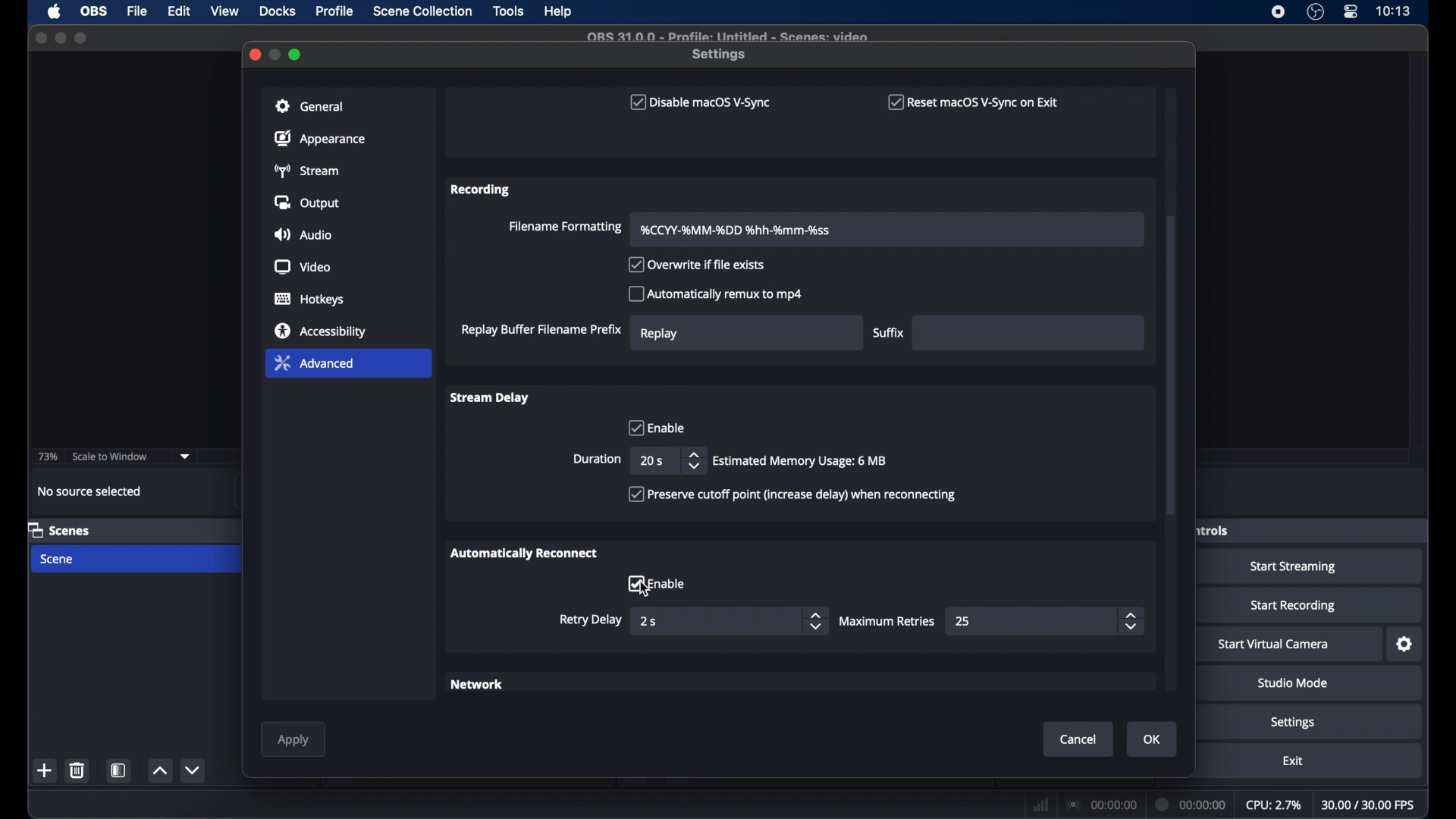 The height and width of the screenshot is (819, 1456). Describe the element at coordinates (1080, 739) in the screenshot. I see `cancel` at that location.